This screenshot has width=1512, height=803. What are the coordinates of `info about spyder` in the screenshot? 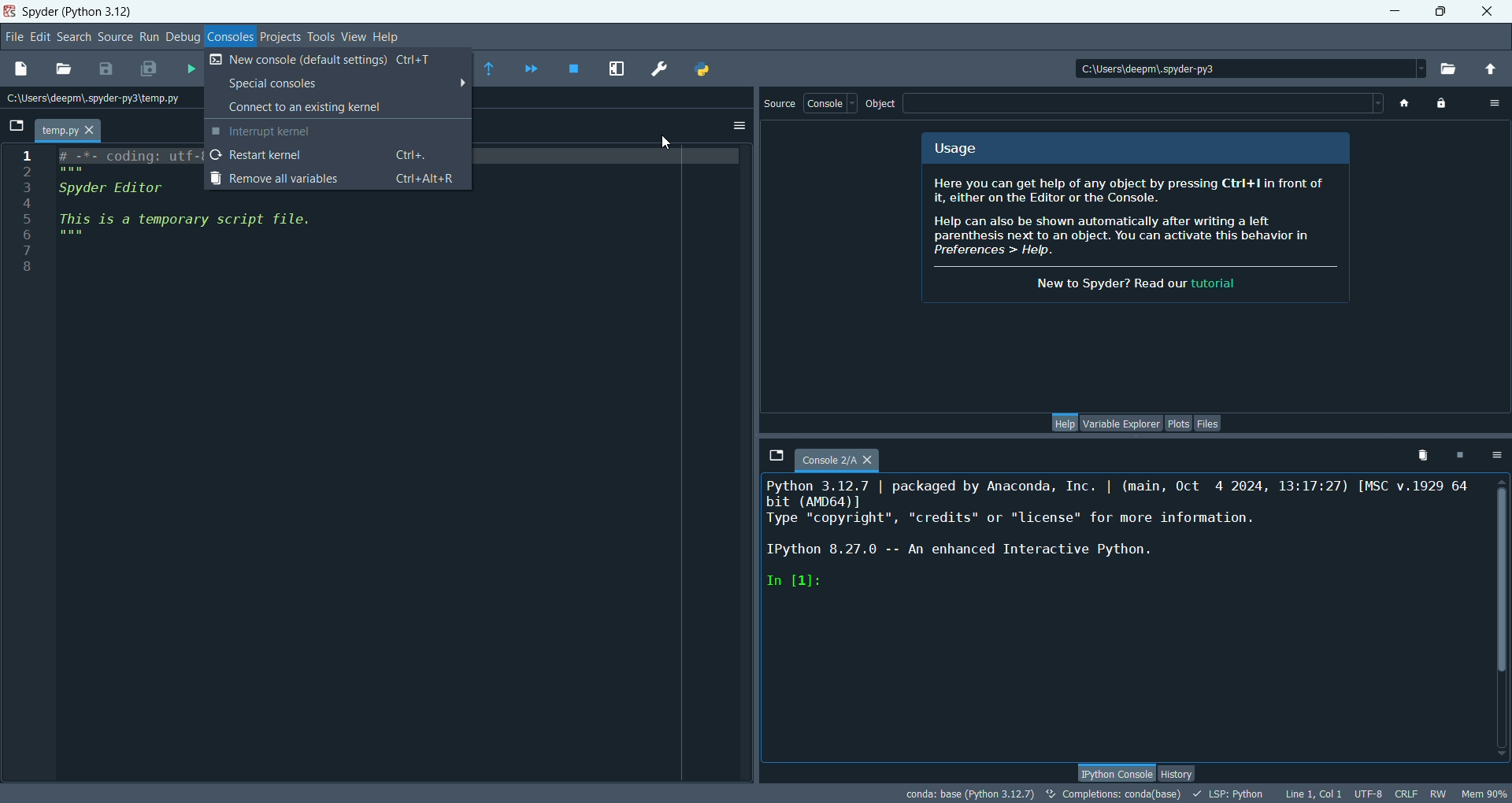 It's located at (1136, 235).